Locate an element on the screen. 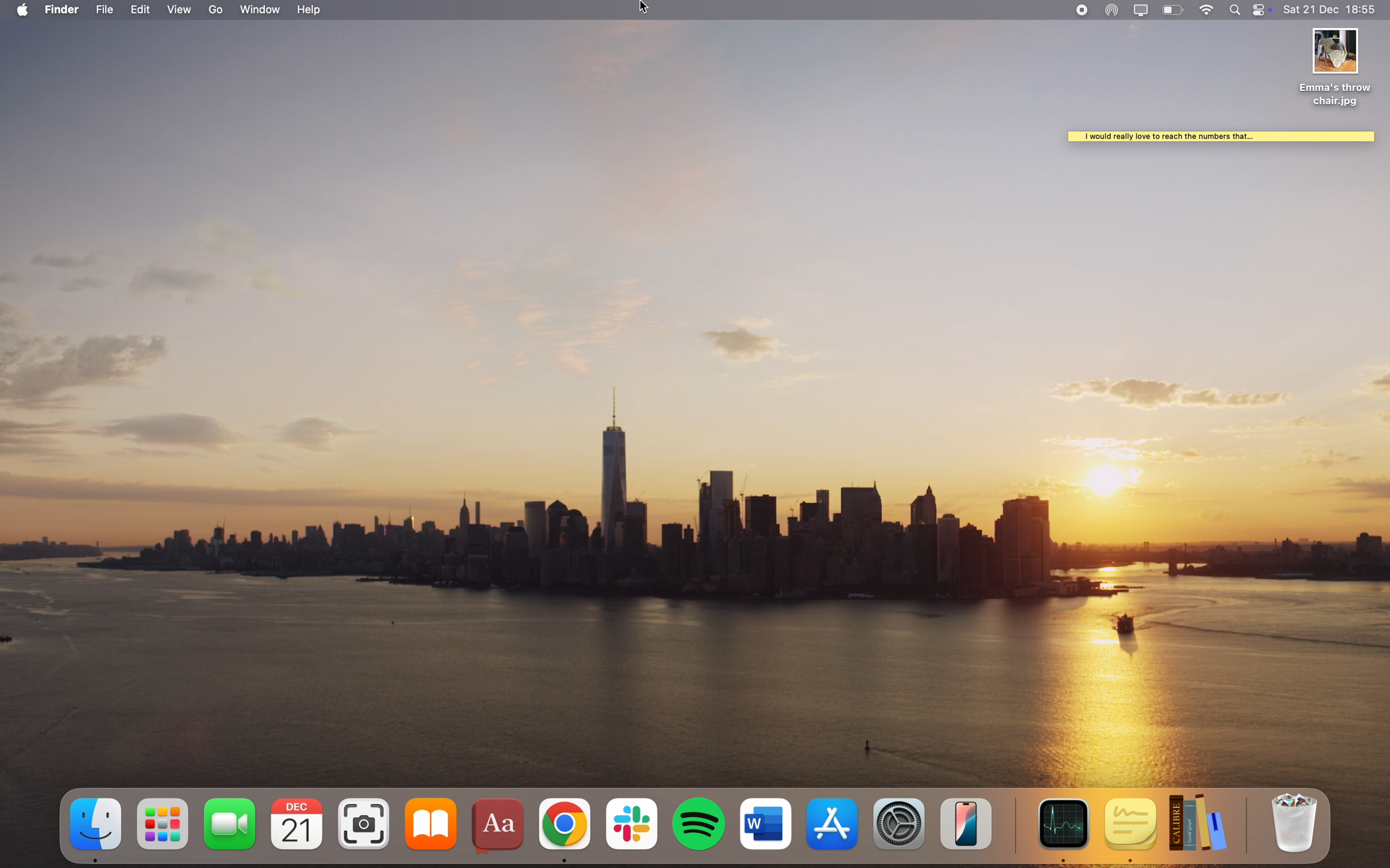  Sat 21 Dec 18:55 is located at coordinates (1335, 10).